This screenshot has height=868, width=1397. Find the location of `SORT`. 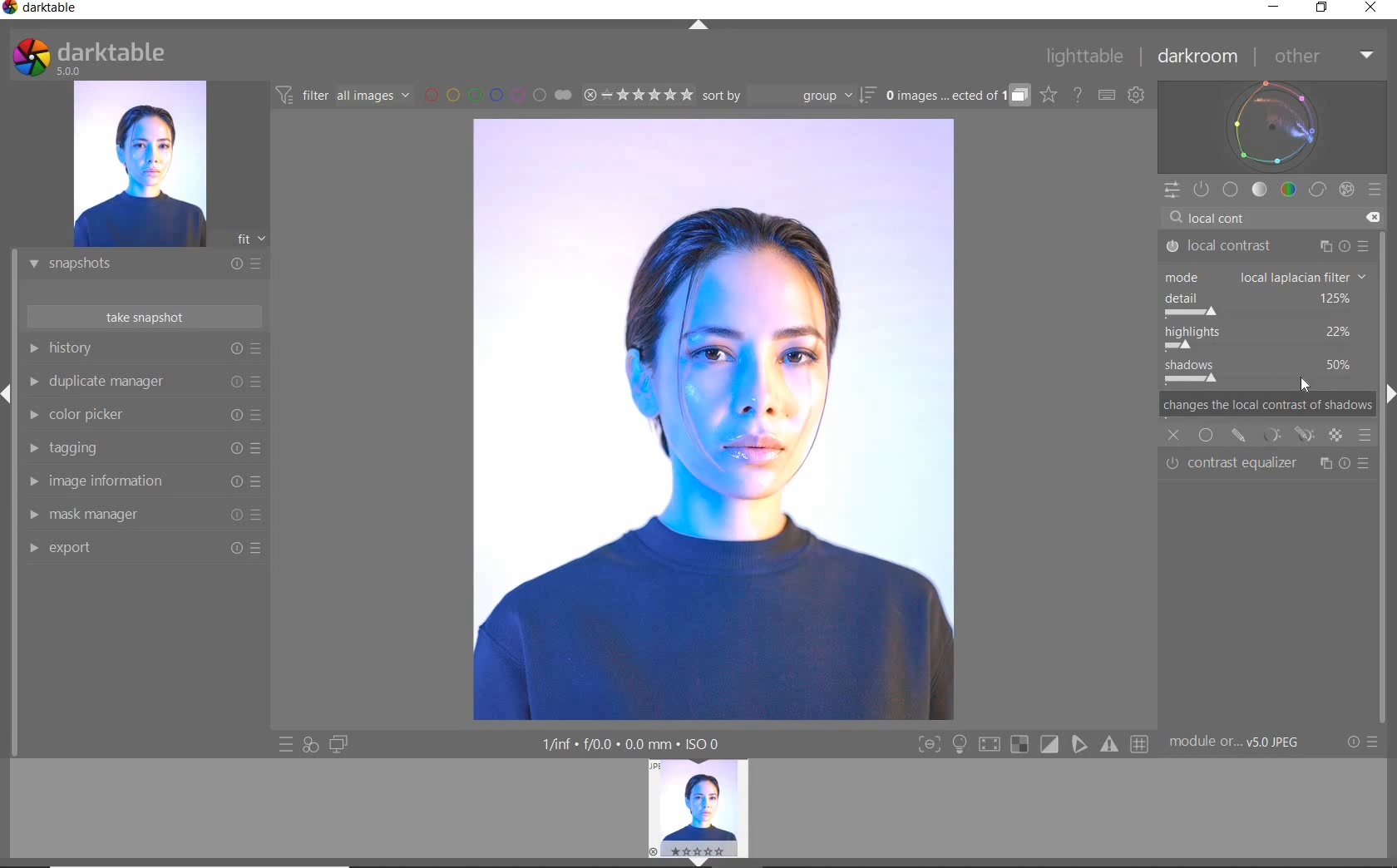

SORT is located at coordinates (787, 95).